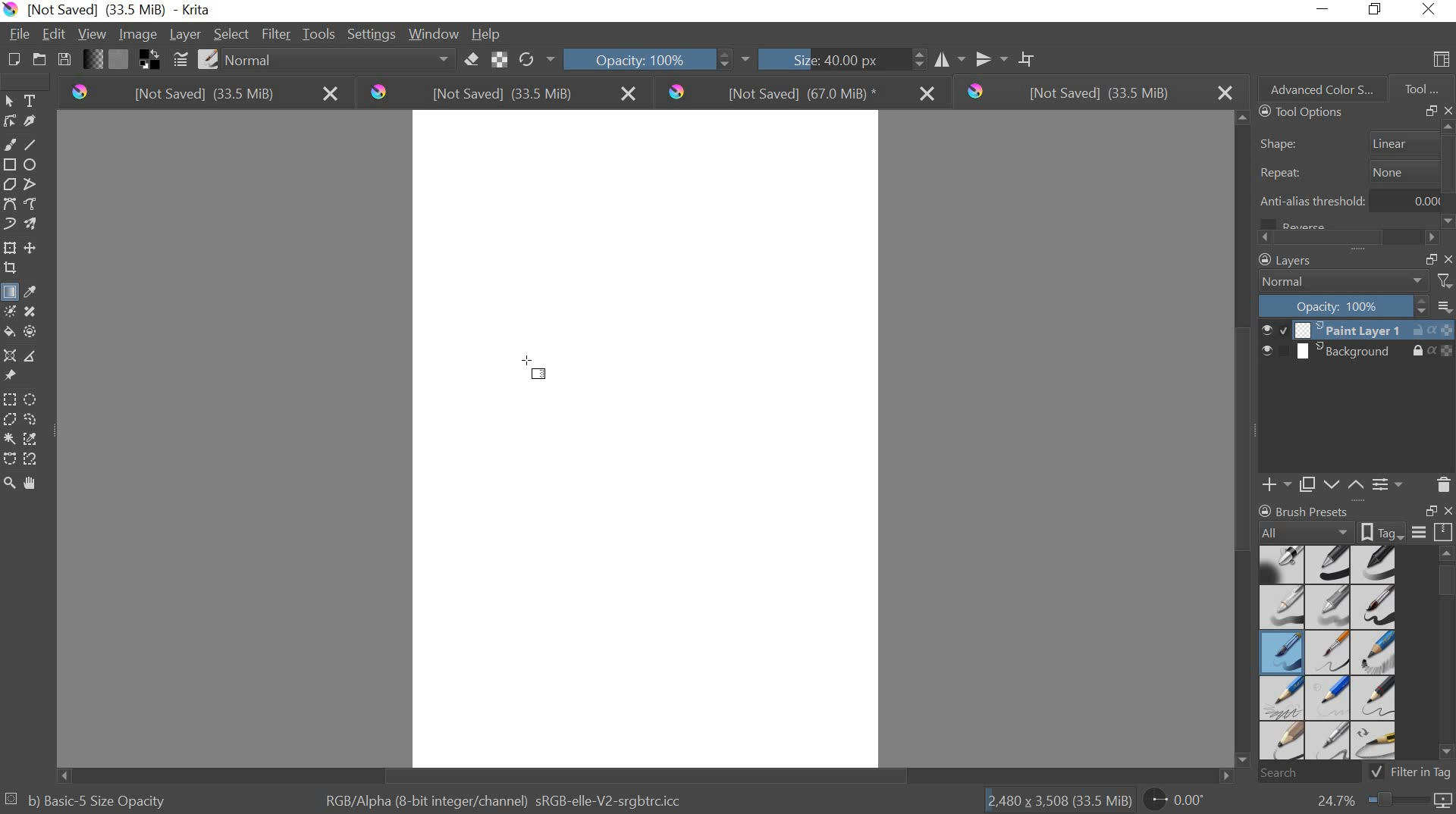 Image resolution: width=1456 pixels, height=814 pixels. Describe the element at coordinates (275, 34) in the screenshot. I see `FILTER` at that location.